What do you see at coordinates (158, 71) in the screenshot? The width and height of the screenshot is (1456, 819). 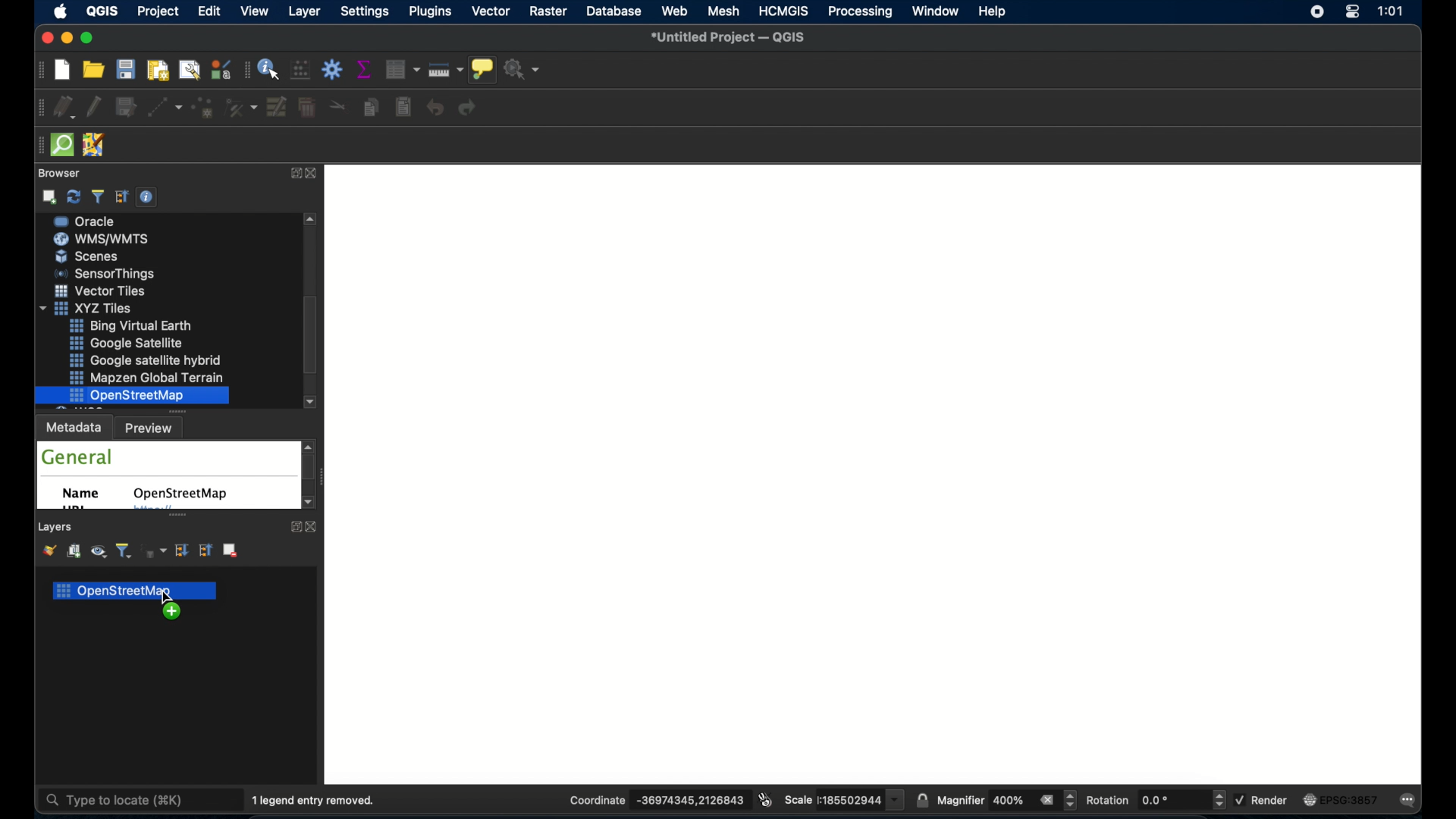 I see `new print layout` at bounding box center [158, 71].